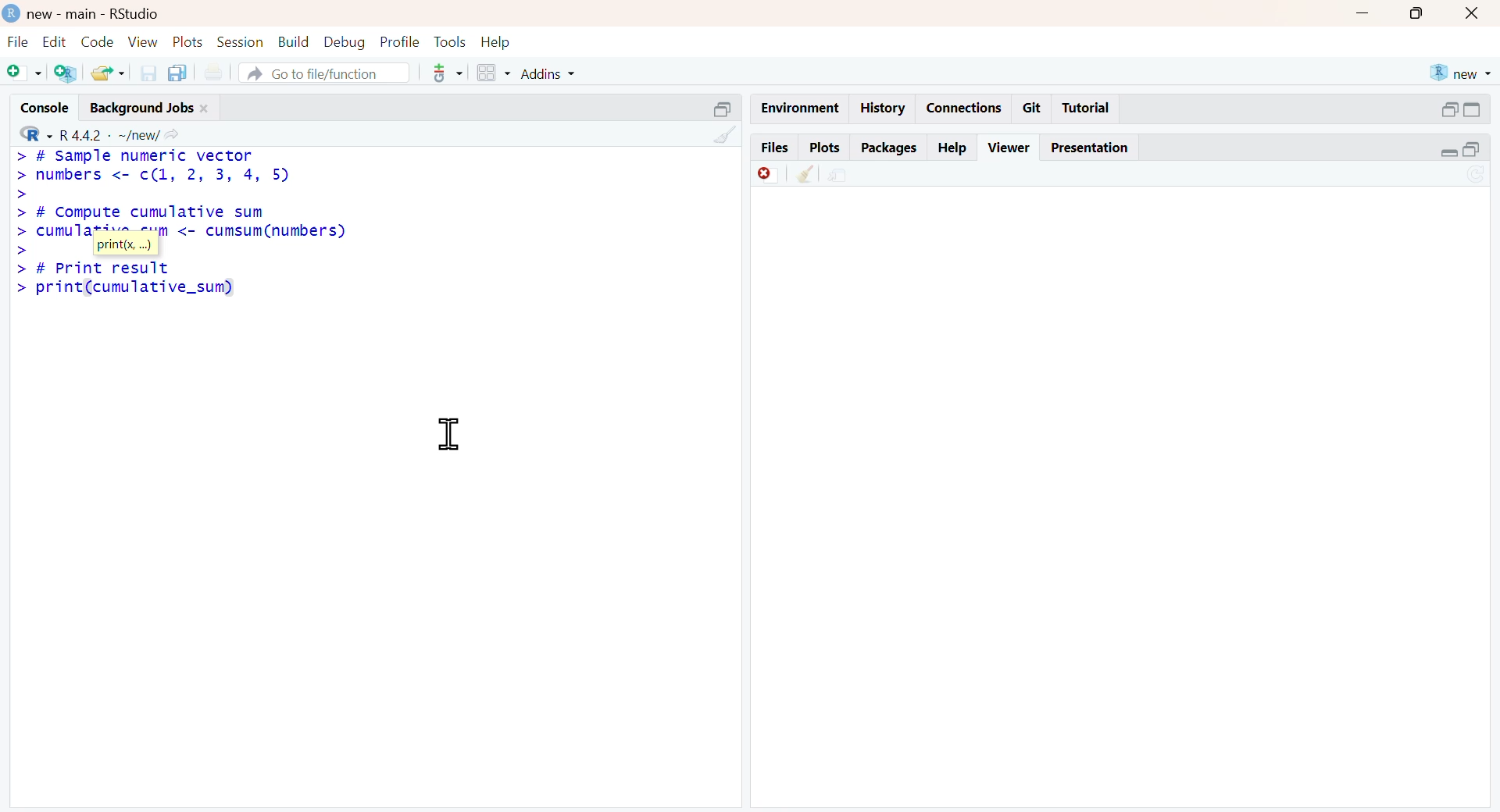  What do you see at coordinates (494, 72) in the screenshot?
I see `grid` at bounding box center [494, 72].